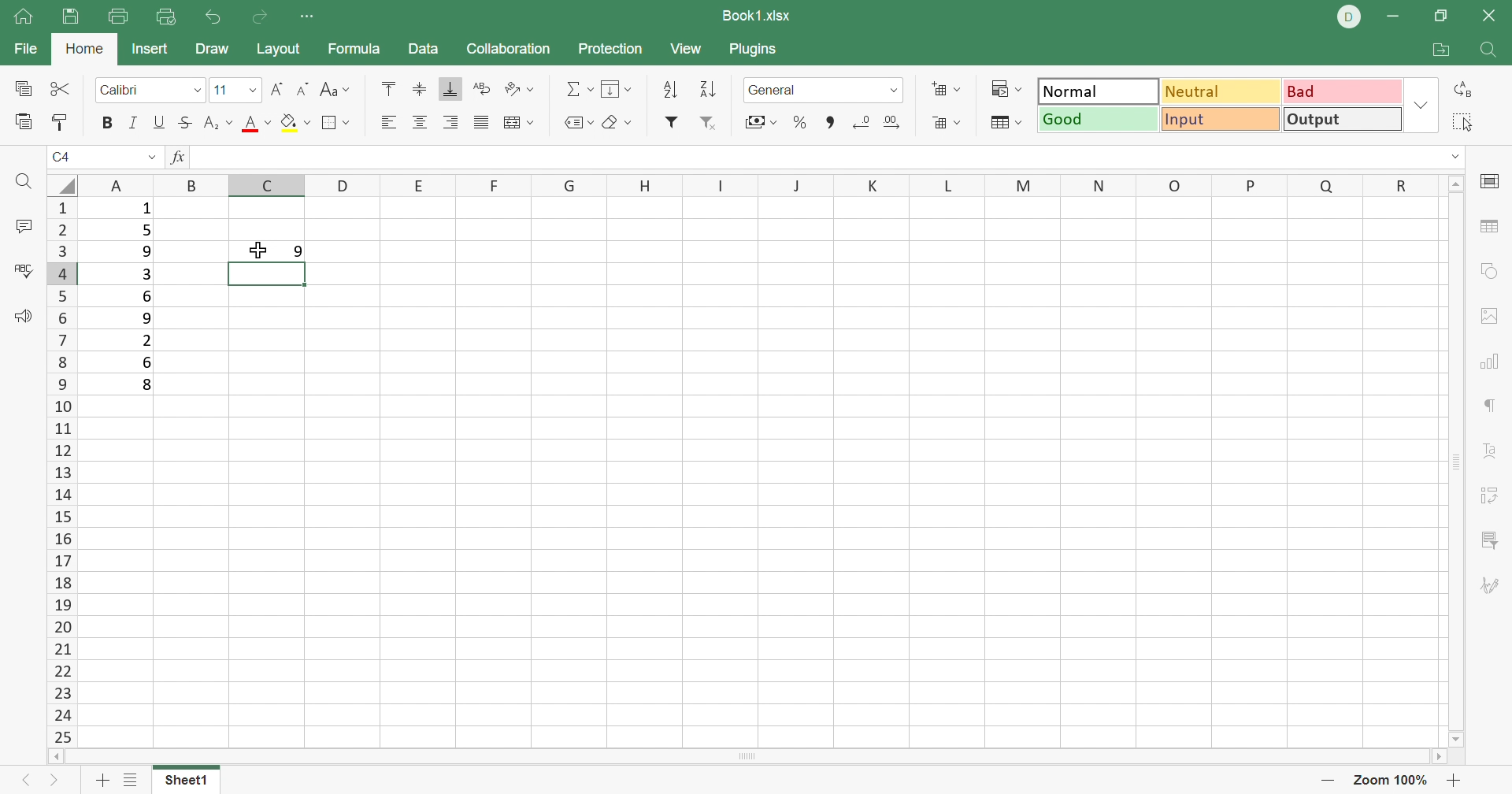  I want to click on Align bottom, so click(447, 87).